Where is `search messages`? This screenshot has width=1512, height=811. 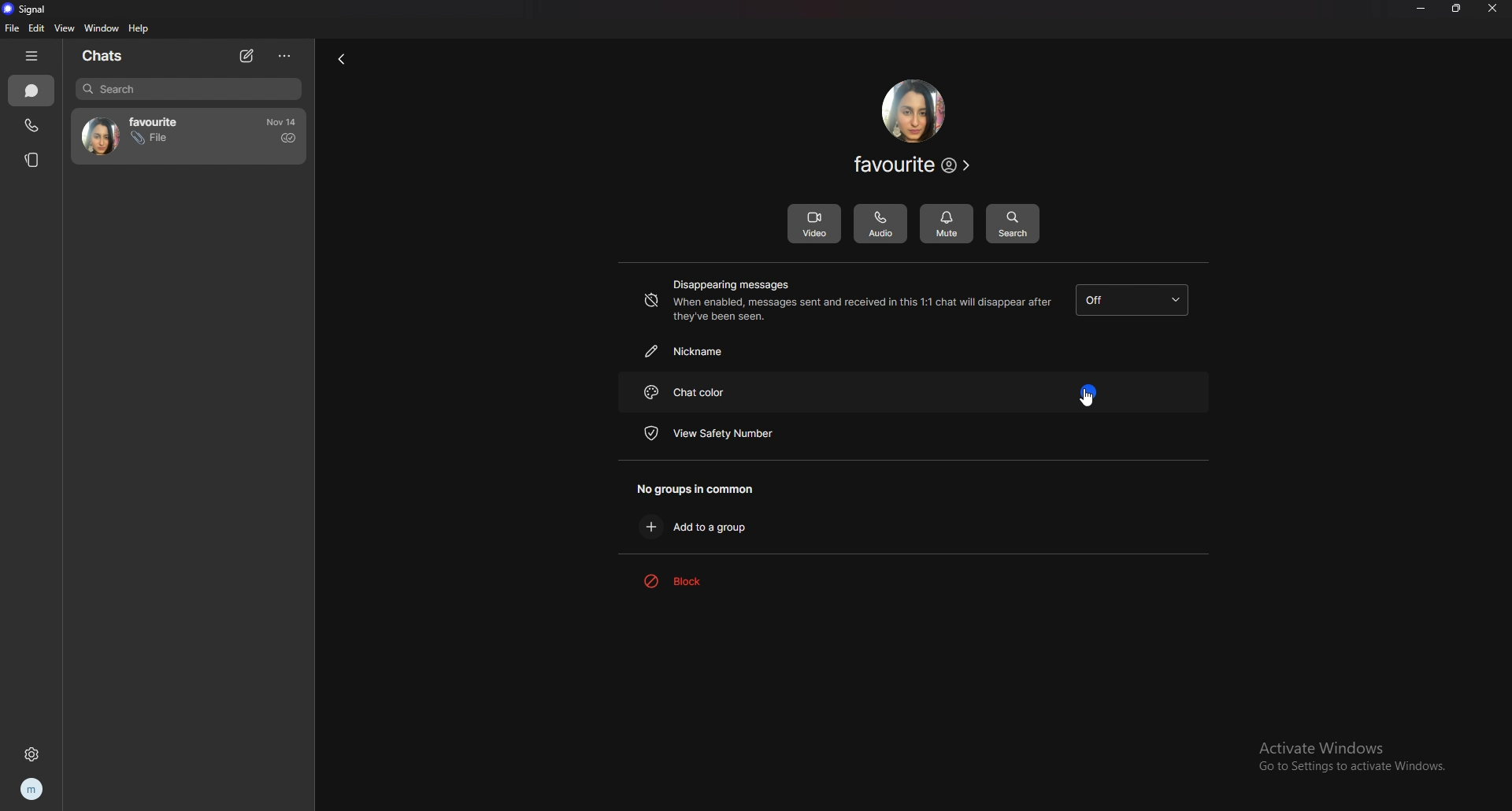
search messages is located at coordinates (1014, 225).